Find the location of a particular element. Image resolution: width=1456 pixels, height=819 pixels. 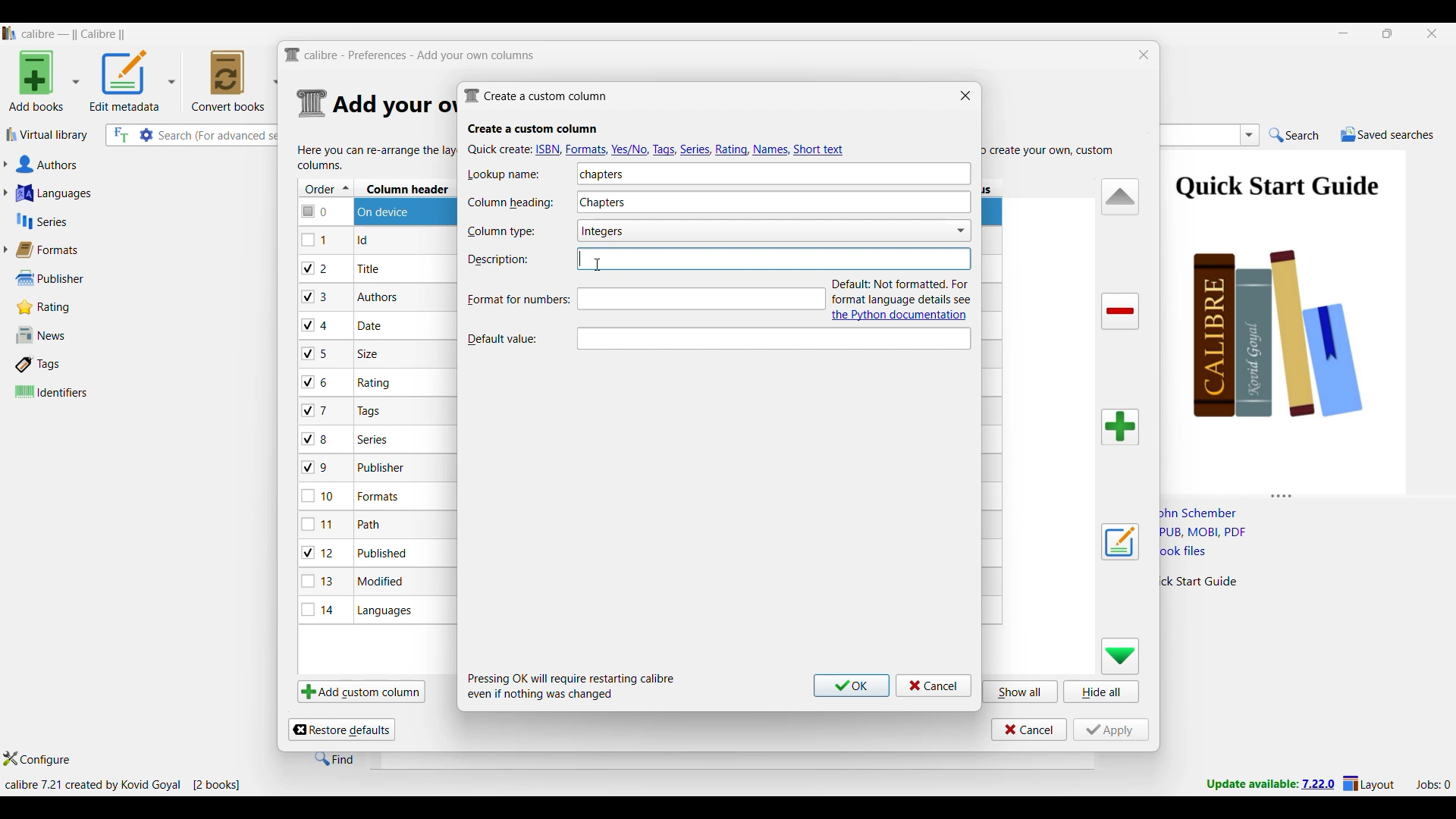

Column heading typed in is located at coordinates (695, 199).